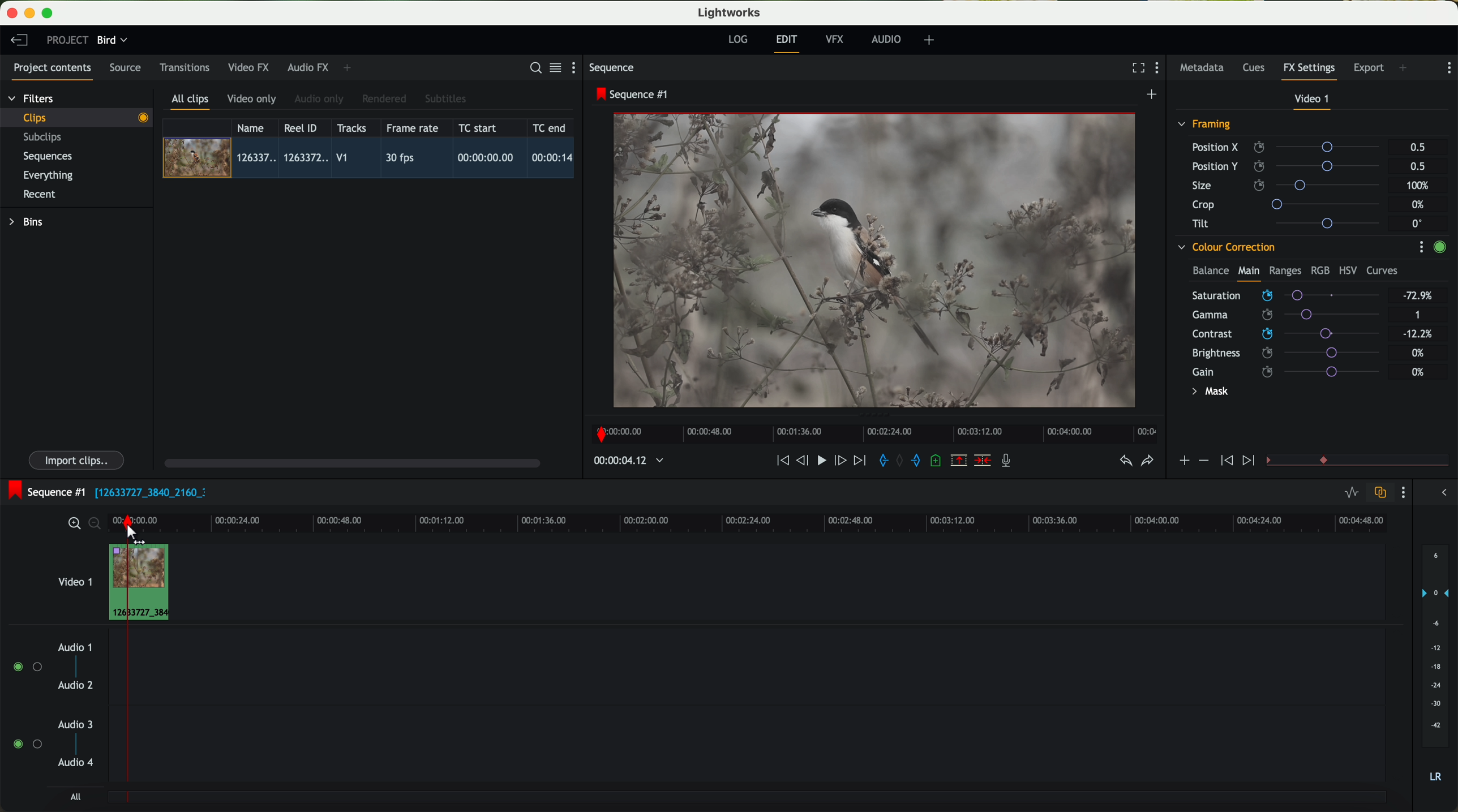  What do you see at coordinates (633, 94) in the screenshot?
I see `sequence #1` at bounding box center [633, 94].